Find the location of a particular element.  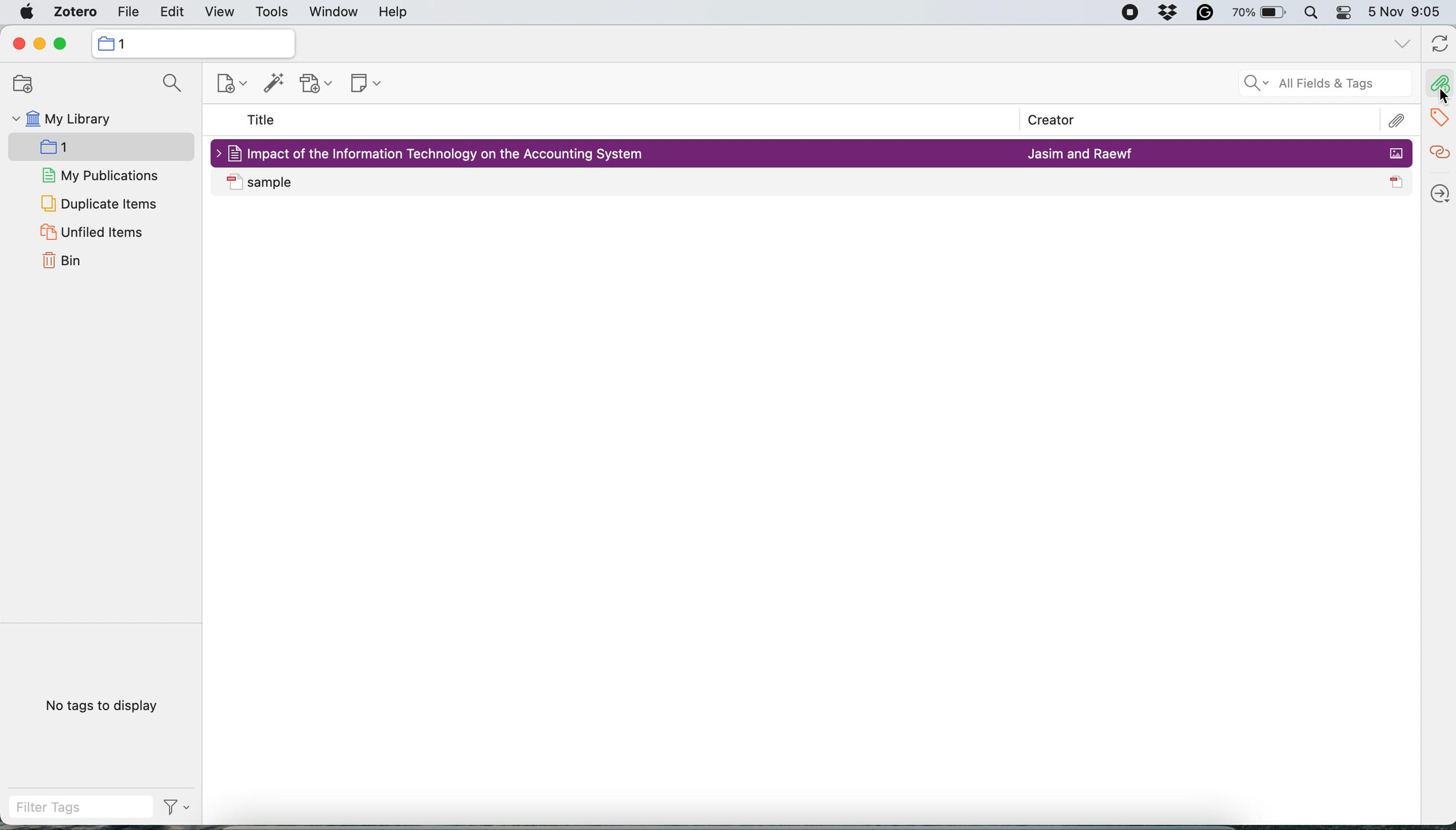

system logo is located at coordinates (27, 12).